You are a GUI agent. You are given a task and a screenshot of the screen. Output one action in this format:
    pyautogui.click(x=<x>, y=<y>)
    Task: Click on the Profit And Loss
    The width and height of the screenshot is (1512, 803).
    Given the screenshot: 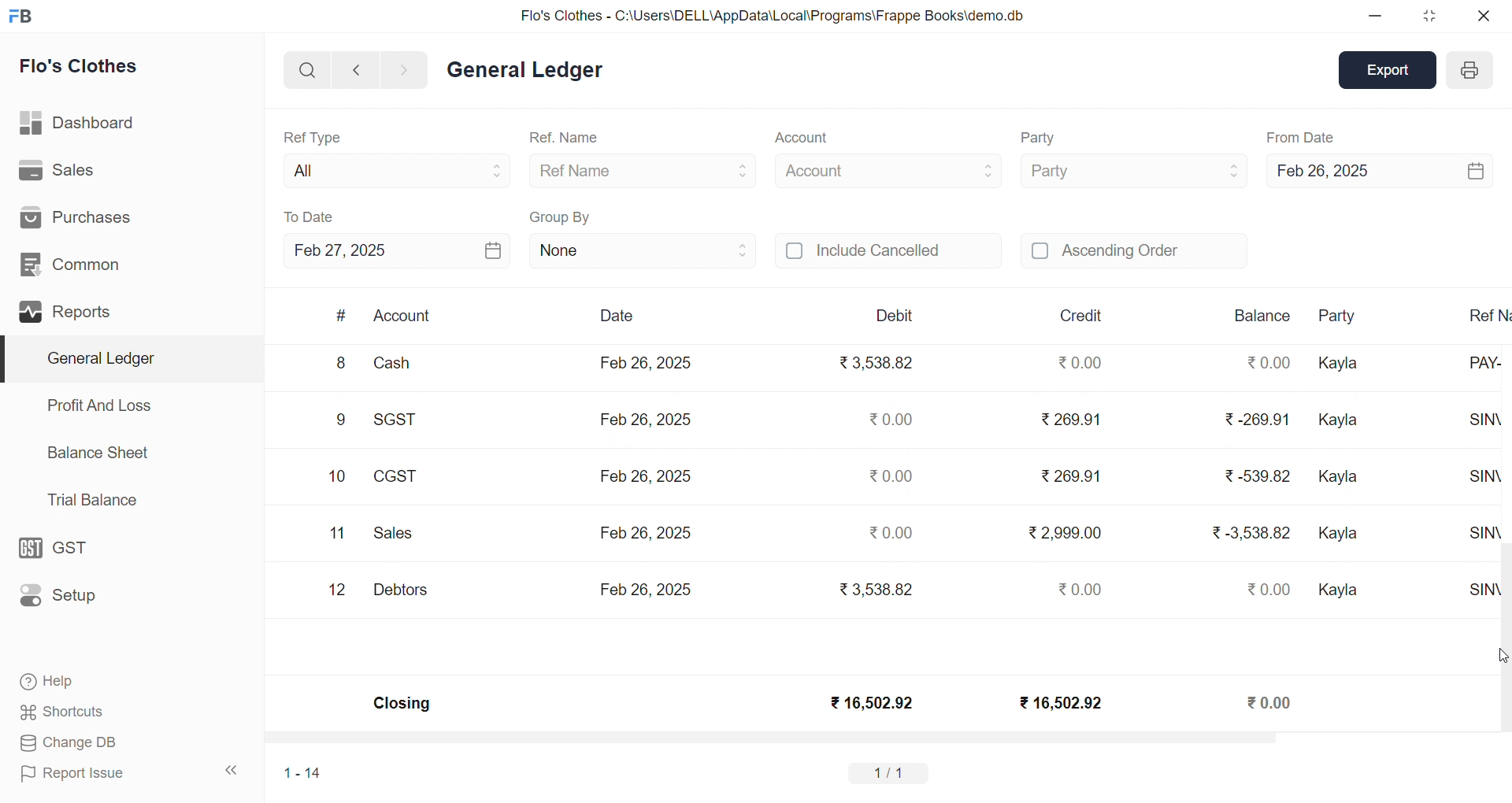 What is the action you would take?
    pyautogui.click(x=98, y=405)
    